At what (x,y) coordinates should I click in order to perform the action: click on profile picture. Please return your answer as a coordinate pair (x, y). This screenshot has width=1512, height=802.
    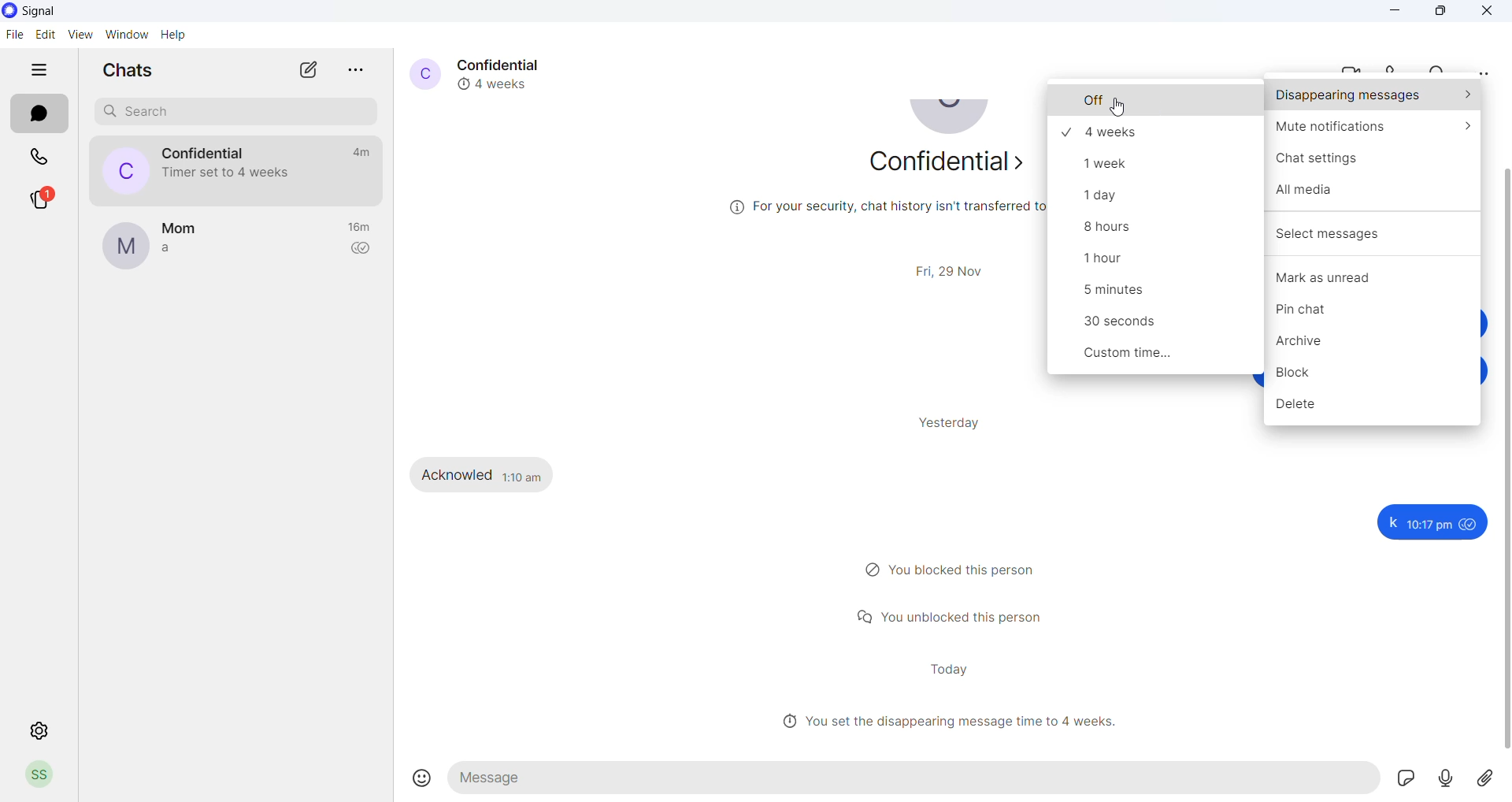
    Looking at the image, I should click on (953, 121).